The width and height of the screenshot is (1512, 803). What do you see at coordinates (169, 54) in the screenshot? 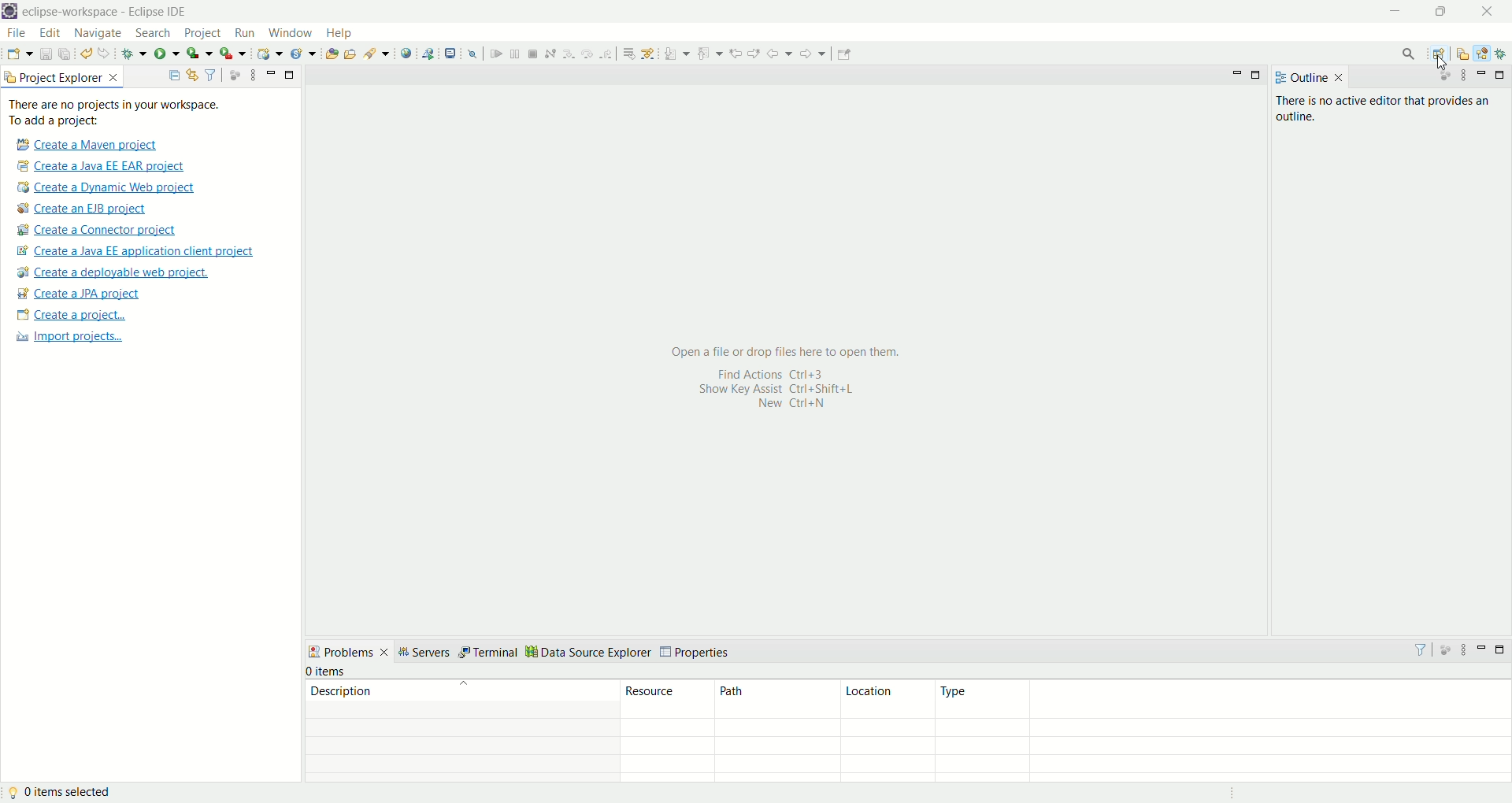
I see `run` at bounding box center [169, 54].